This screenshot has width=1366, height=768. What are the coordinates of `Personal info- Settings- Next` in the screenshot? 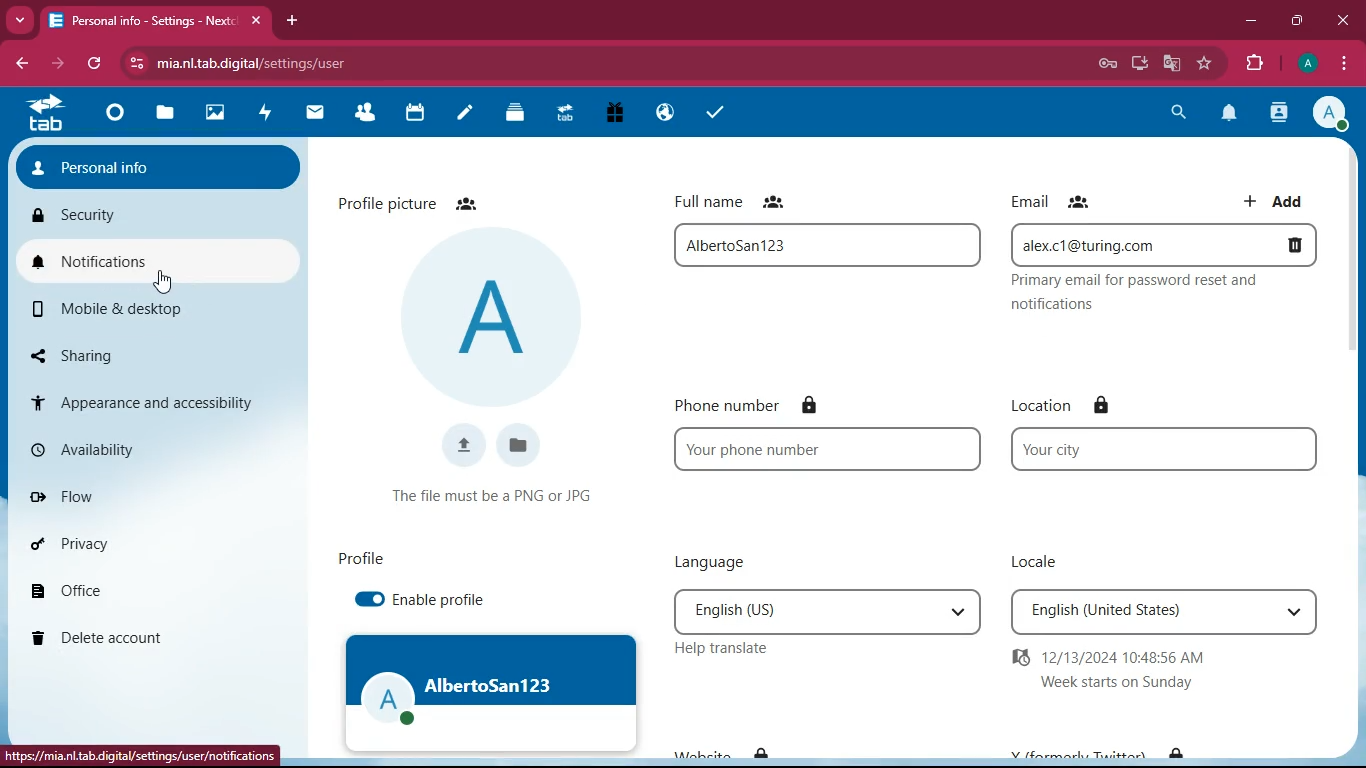 It's located at (144, 22).